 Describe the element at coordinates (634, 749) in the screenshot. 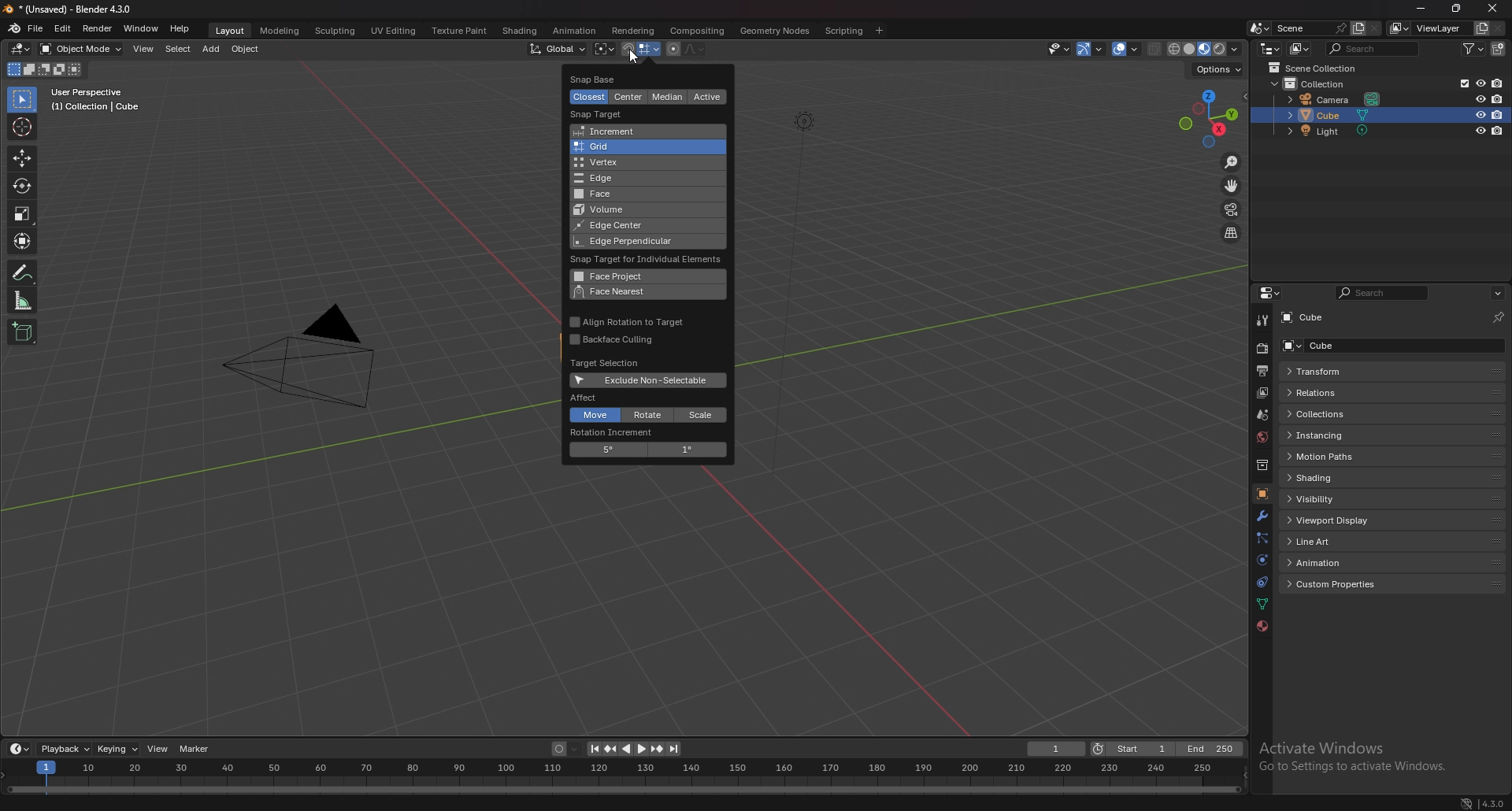

I see `play` at that location.